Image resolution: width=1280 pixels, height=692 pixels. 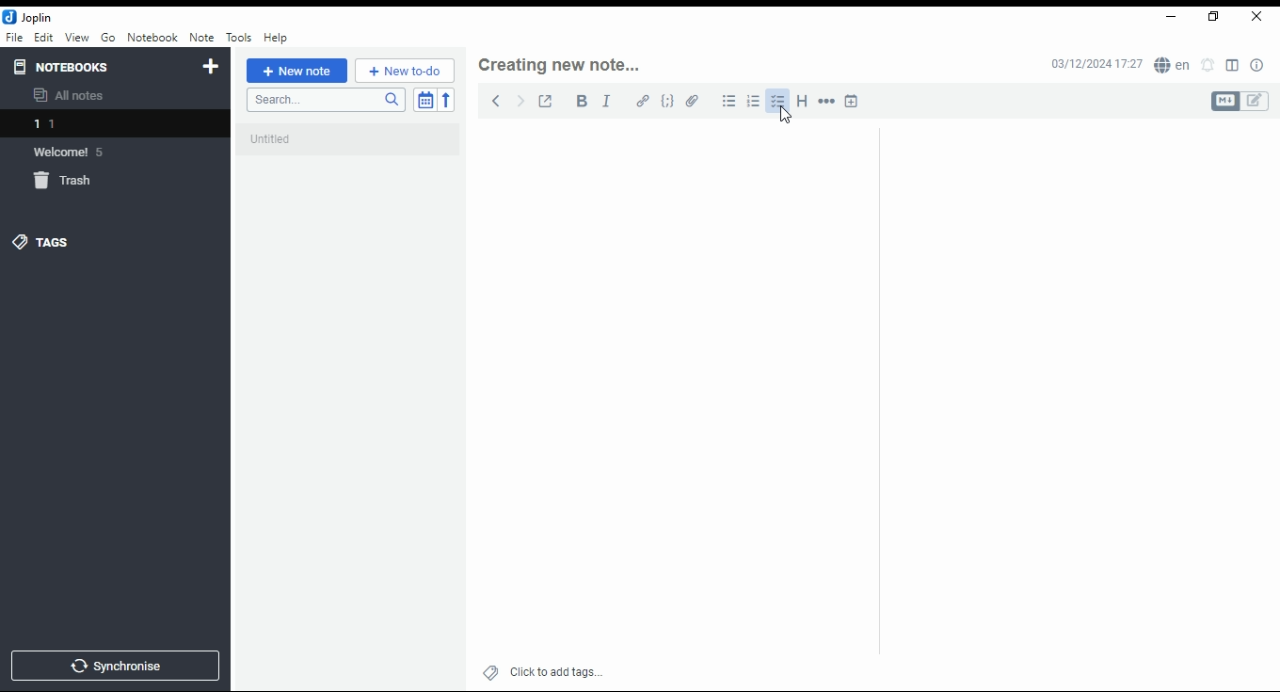 I want to click on icon, so click(x=28, y=16).